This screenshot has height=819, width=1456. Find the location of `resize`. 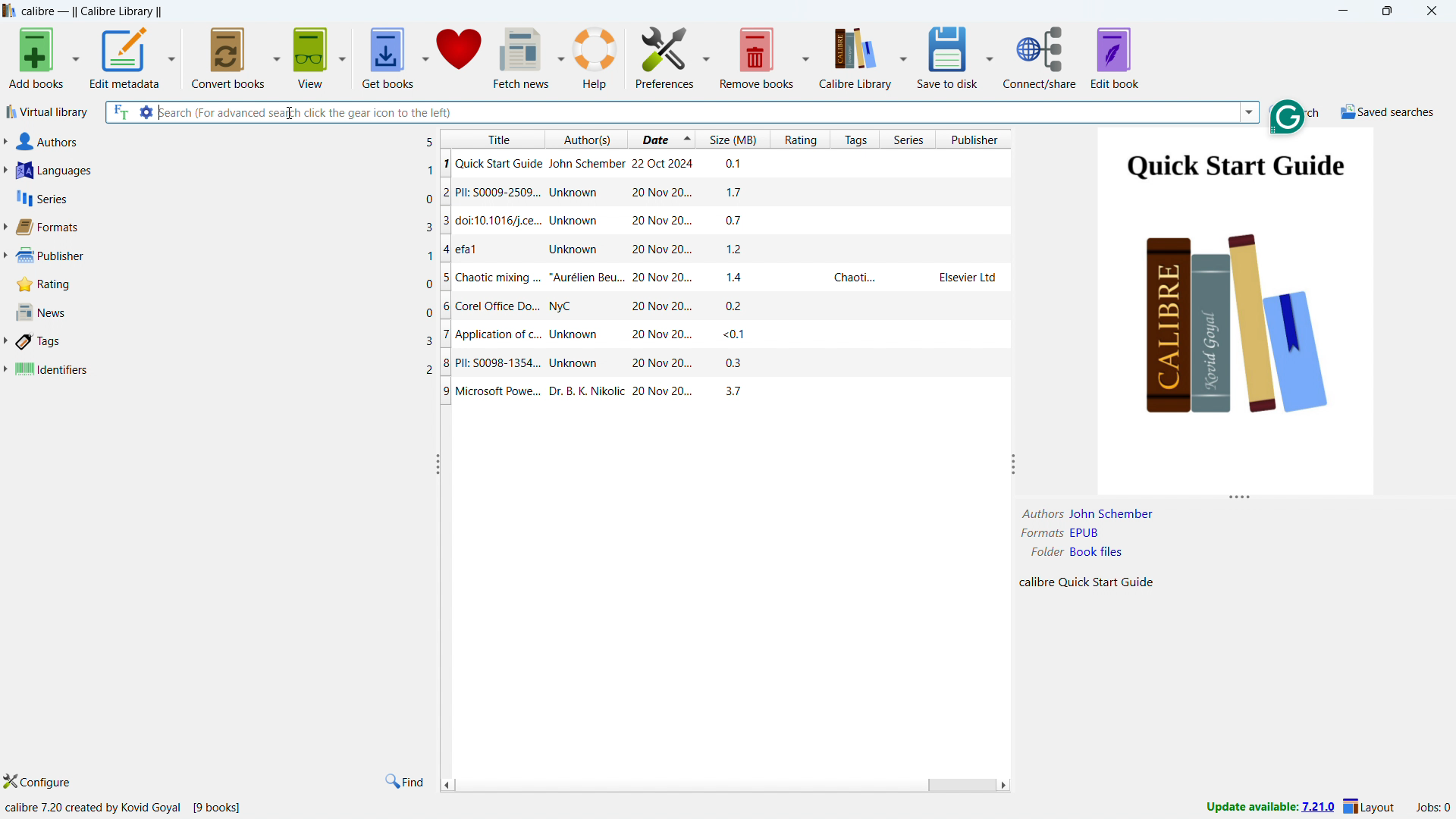

resize is located at coordinates (437, 465).